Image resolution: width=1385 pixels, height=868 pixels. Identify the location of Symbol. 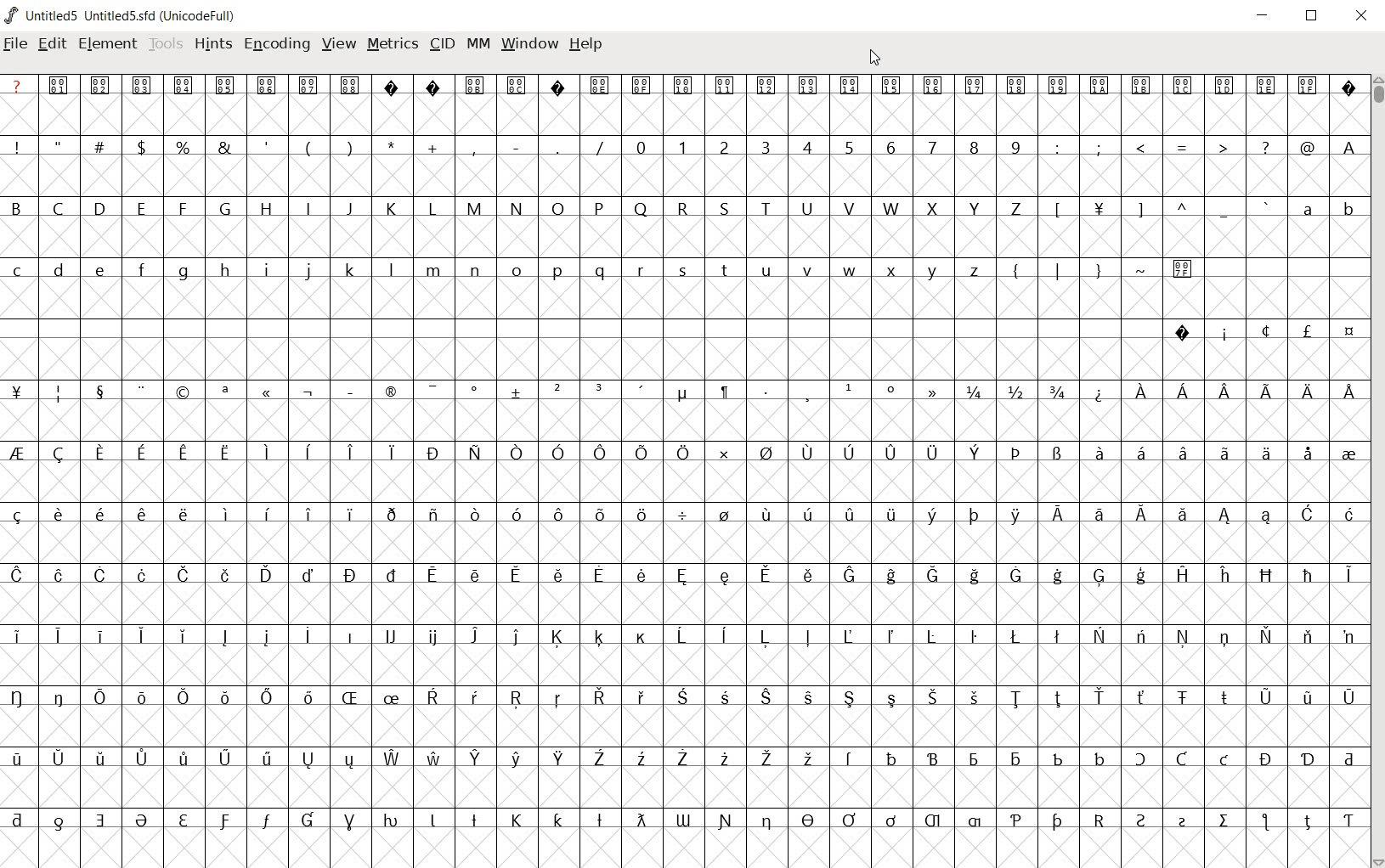
(682, 578).